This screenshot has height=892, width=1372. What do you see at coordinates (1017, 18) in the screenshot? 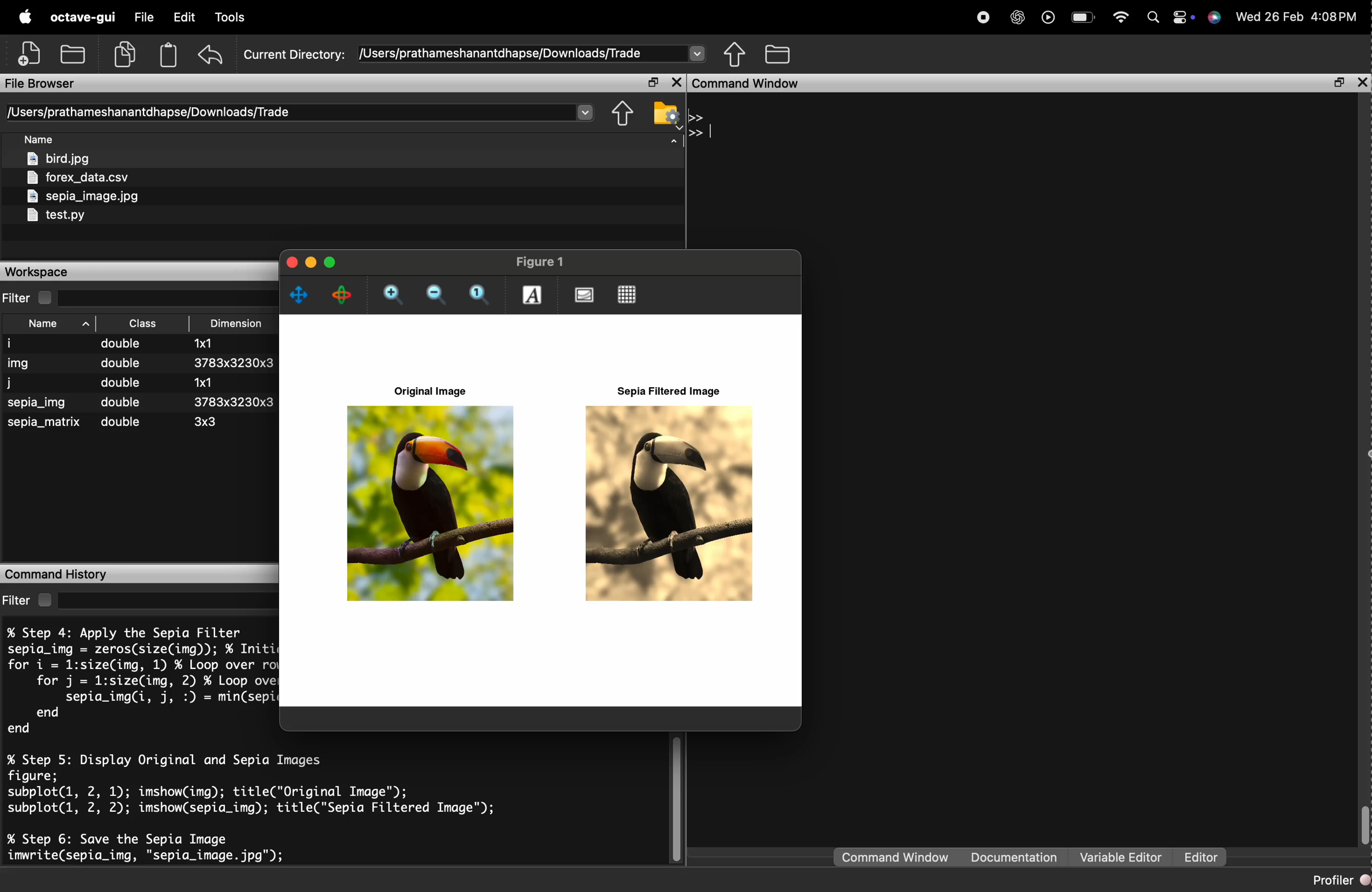
I see `chatgpt` at bounding box center [1017, 18].